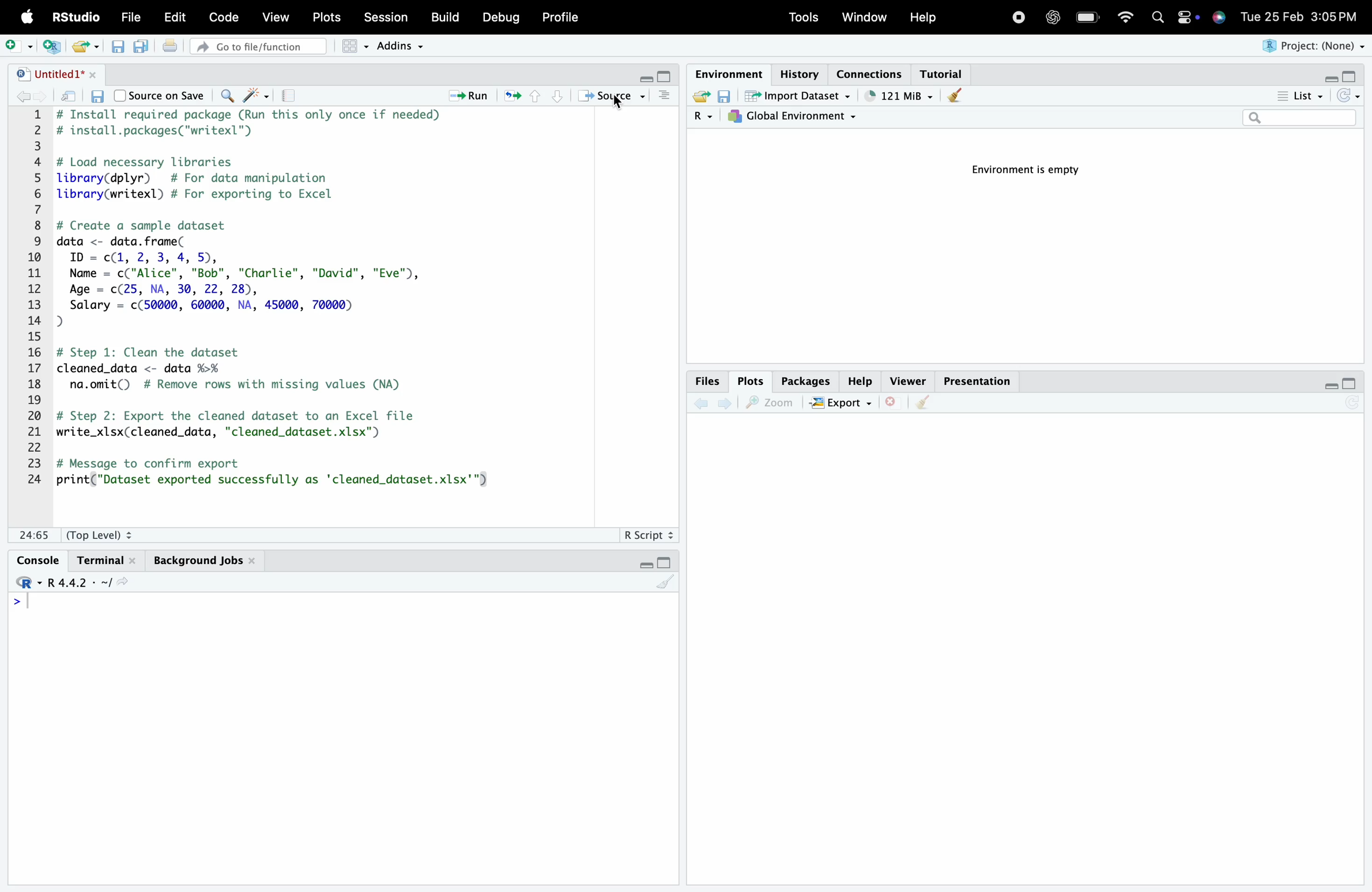  Describe the element at coordinates (798, 96) in the screenshot. I see `Import Dataset` at that location.